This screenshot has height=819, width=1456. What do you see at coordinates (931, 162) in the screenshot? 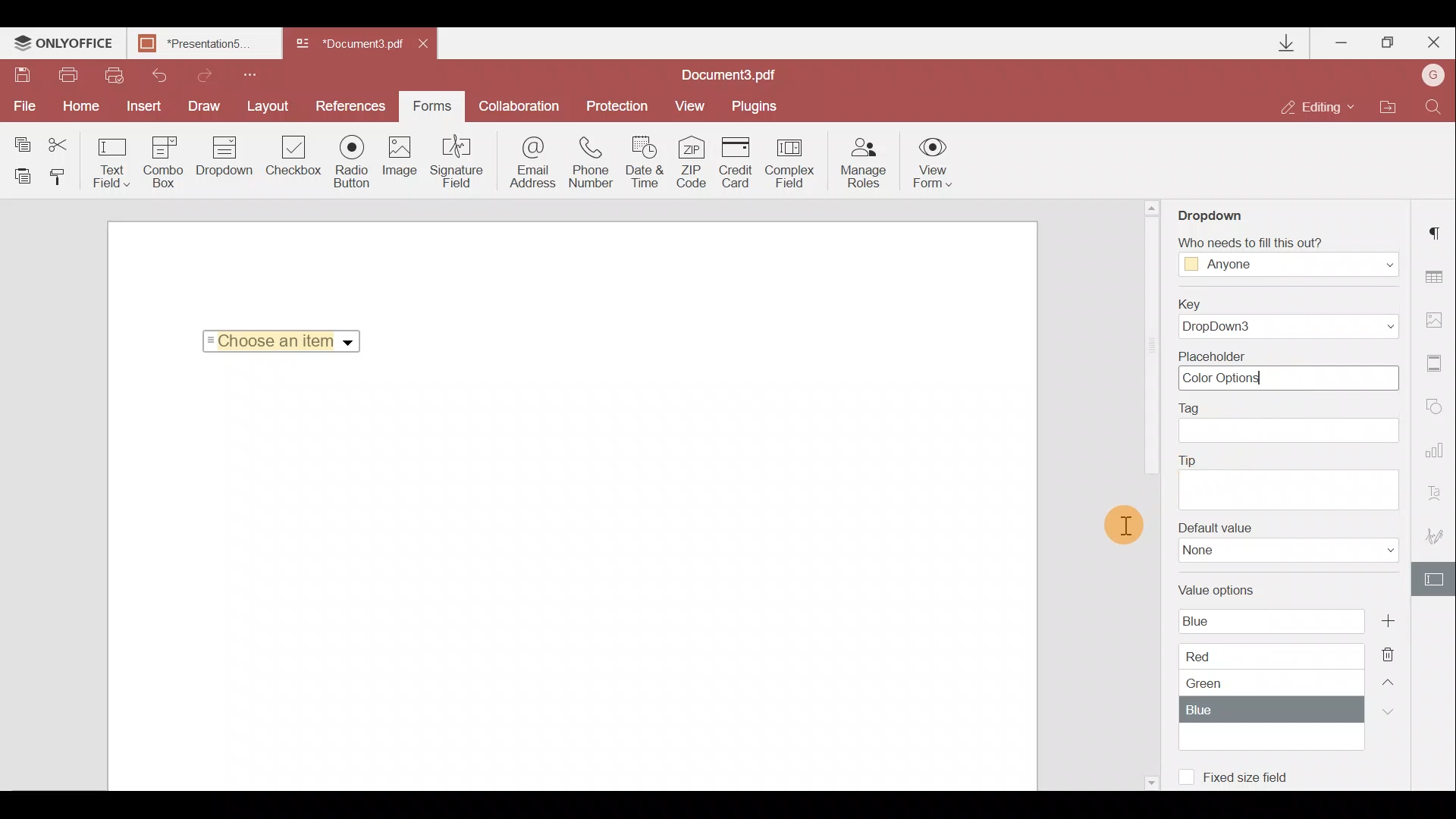
I see `View form` at bounding box center [931, 162].